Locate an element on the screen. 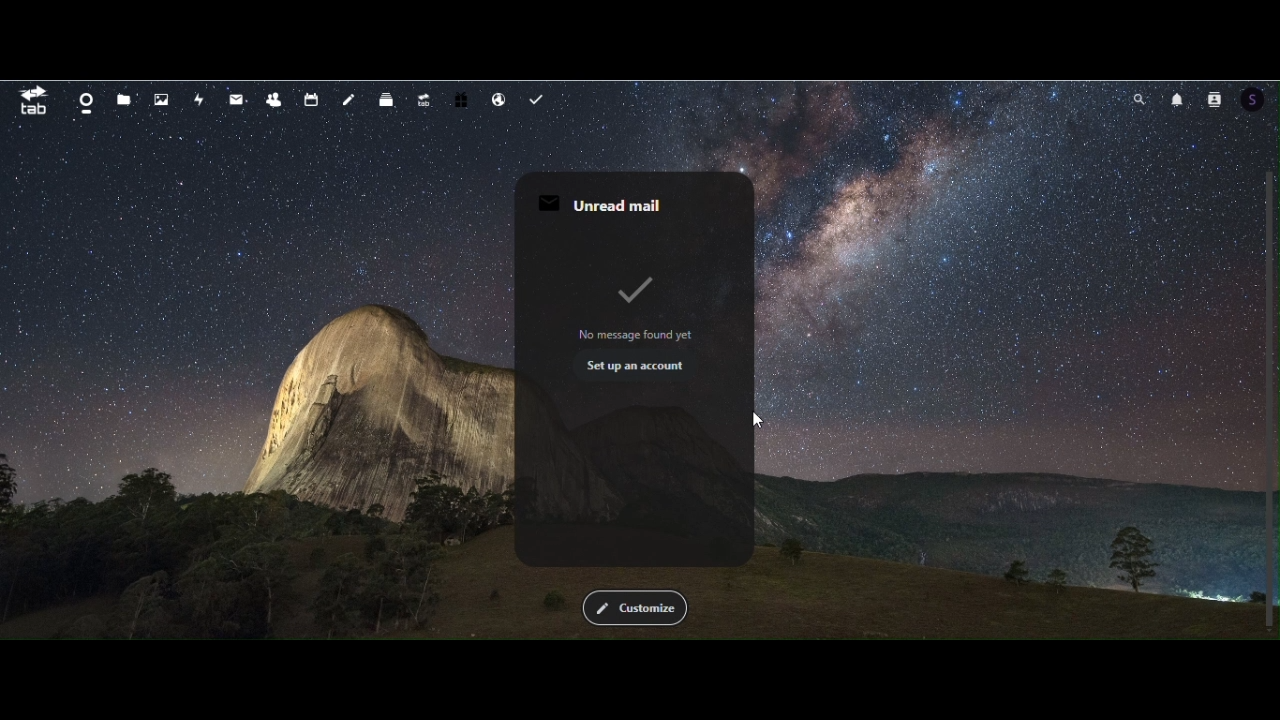 Image resolution: width=1280 pixels, height=720 pixels. unread mail widget is located at coordinates (634, 370).